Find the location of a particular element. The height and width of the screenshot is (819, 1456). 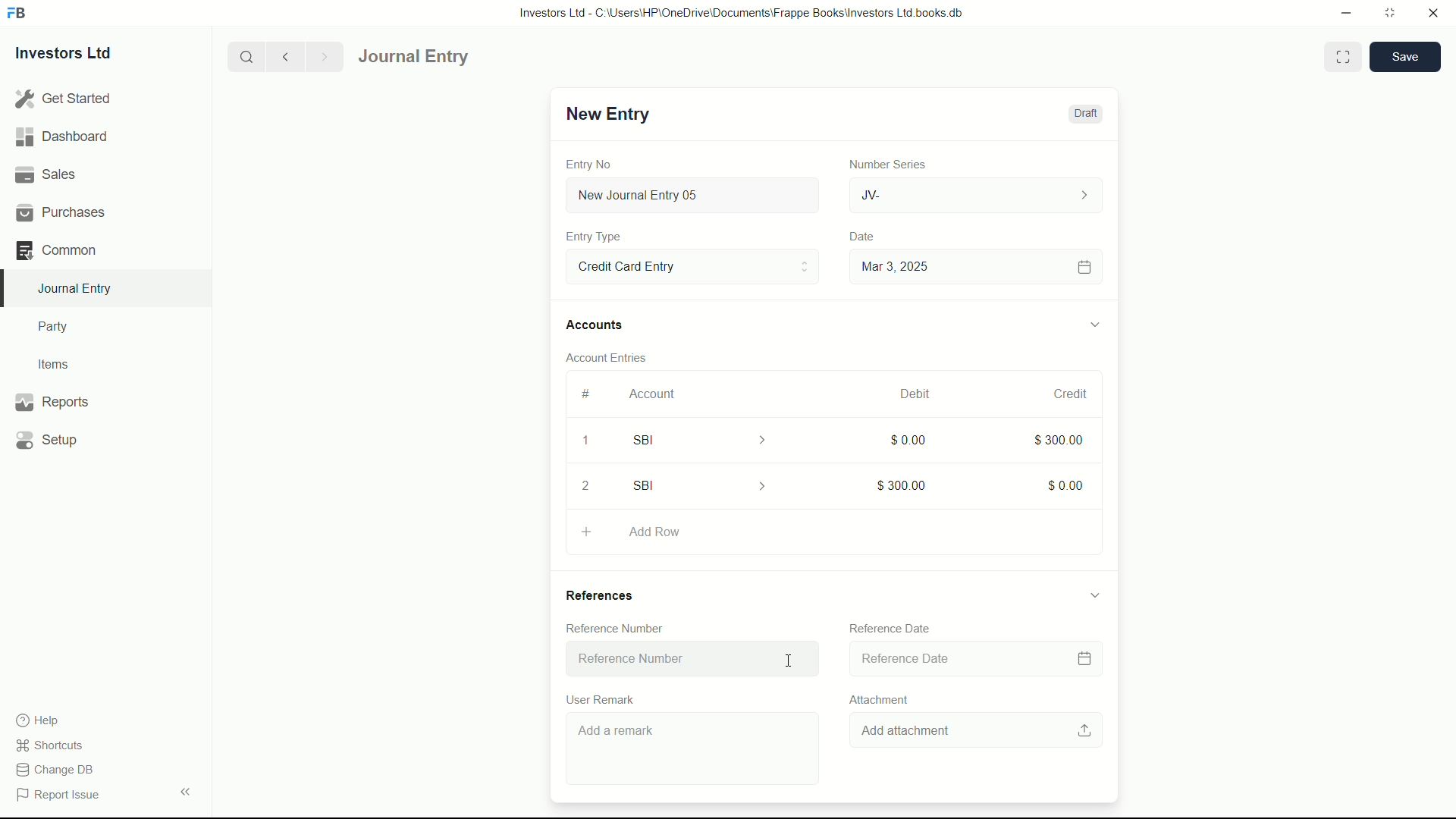

$300.00 is located at coordinates (1060, 441).